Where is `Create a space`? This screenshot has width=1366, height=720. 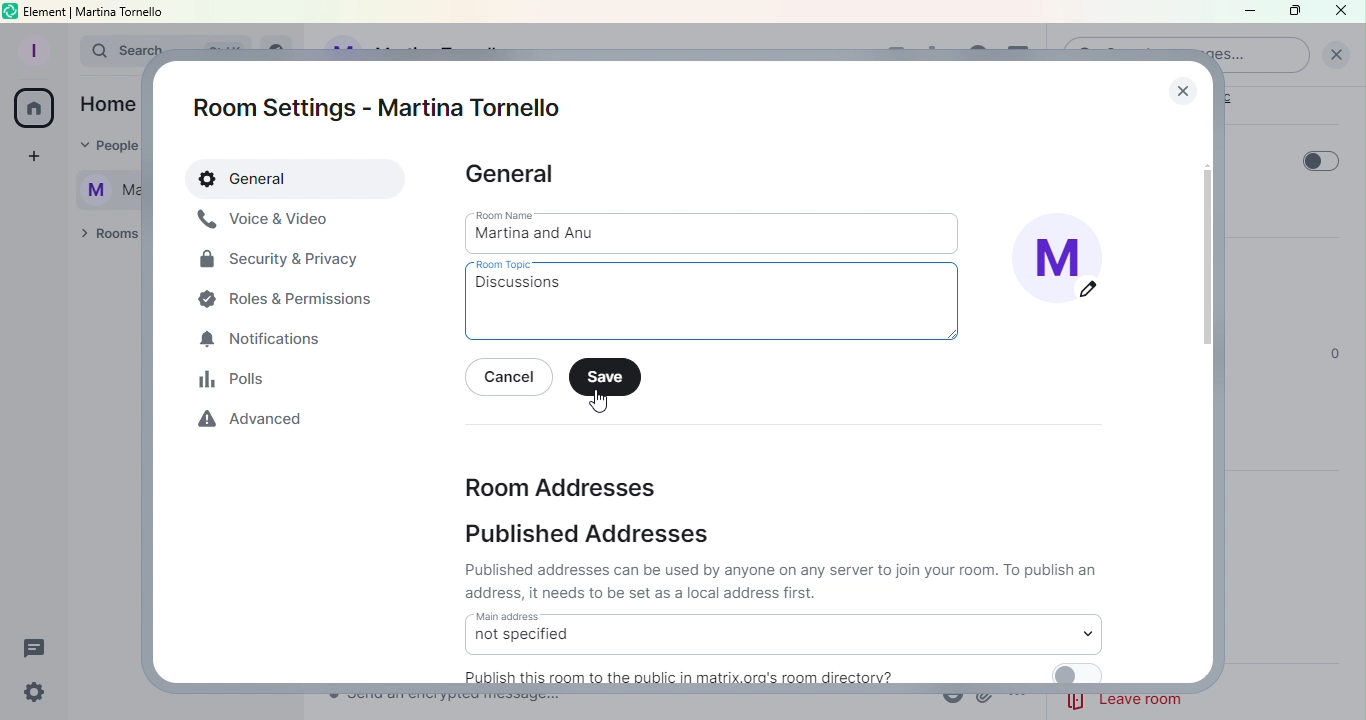
Create a space is located at coordinates (31, 159).